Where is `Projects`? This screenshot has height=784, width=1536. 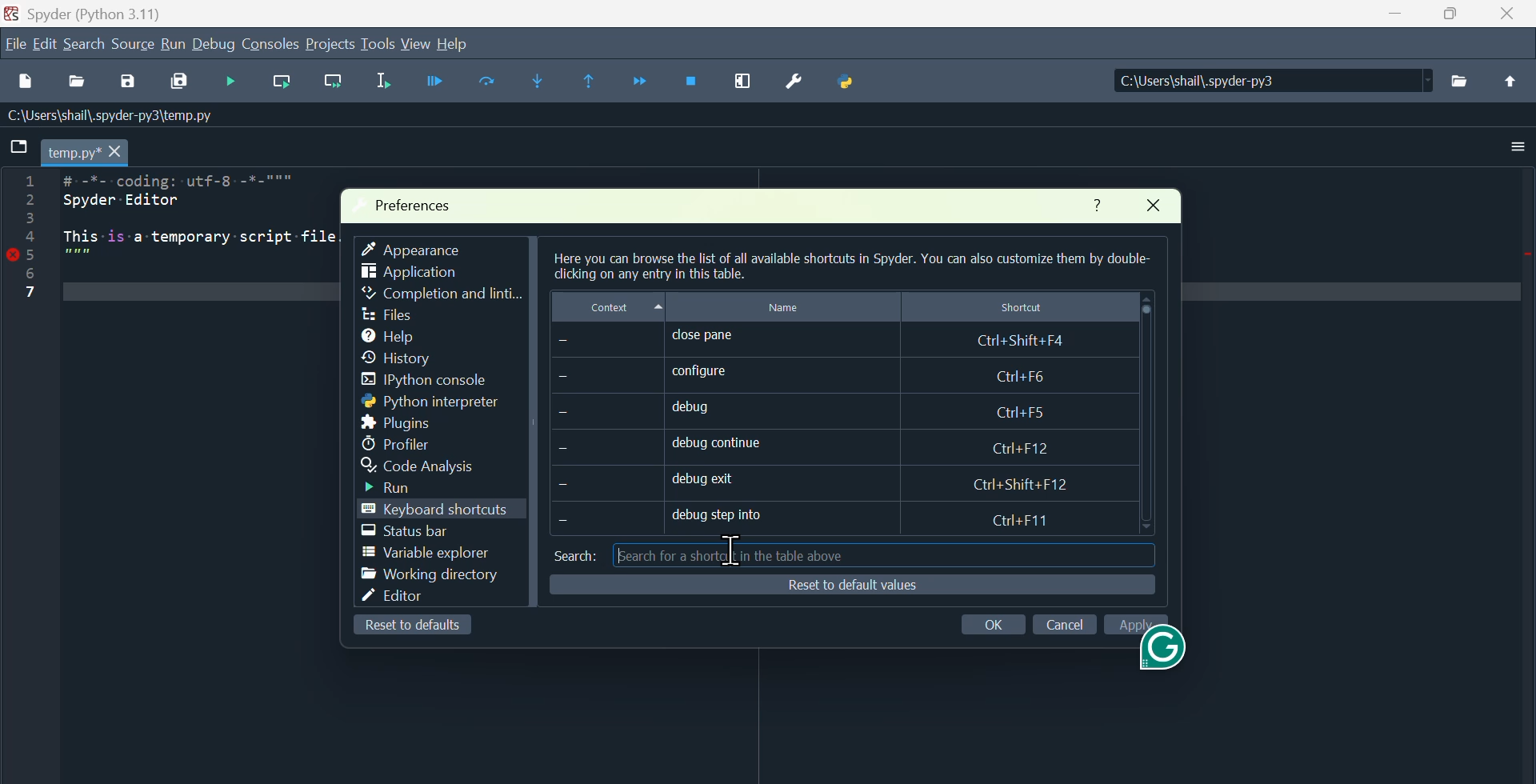 Projects is located at coordinates (331, 45).